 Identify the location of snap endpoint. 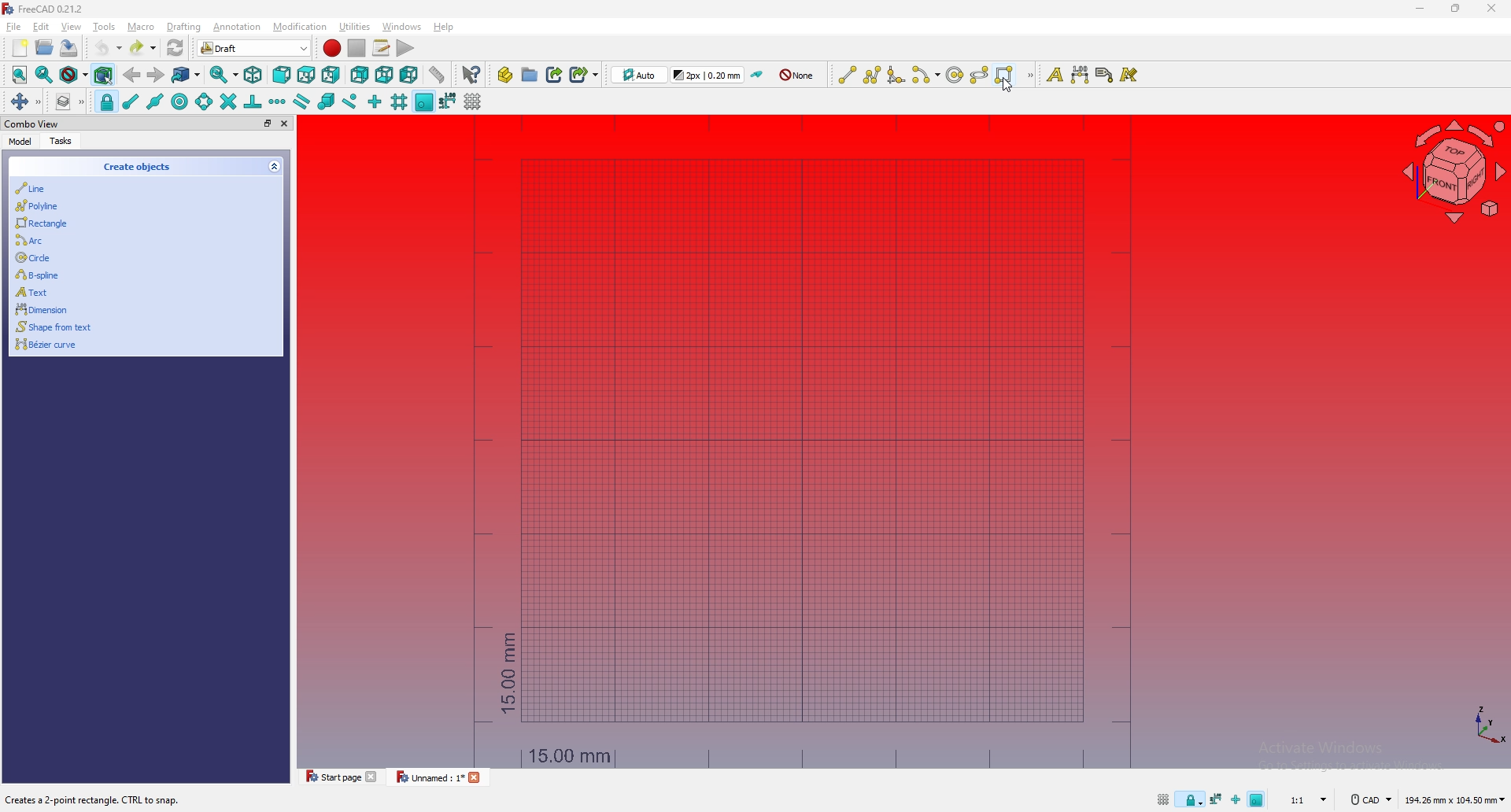
(130, 102).